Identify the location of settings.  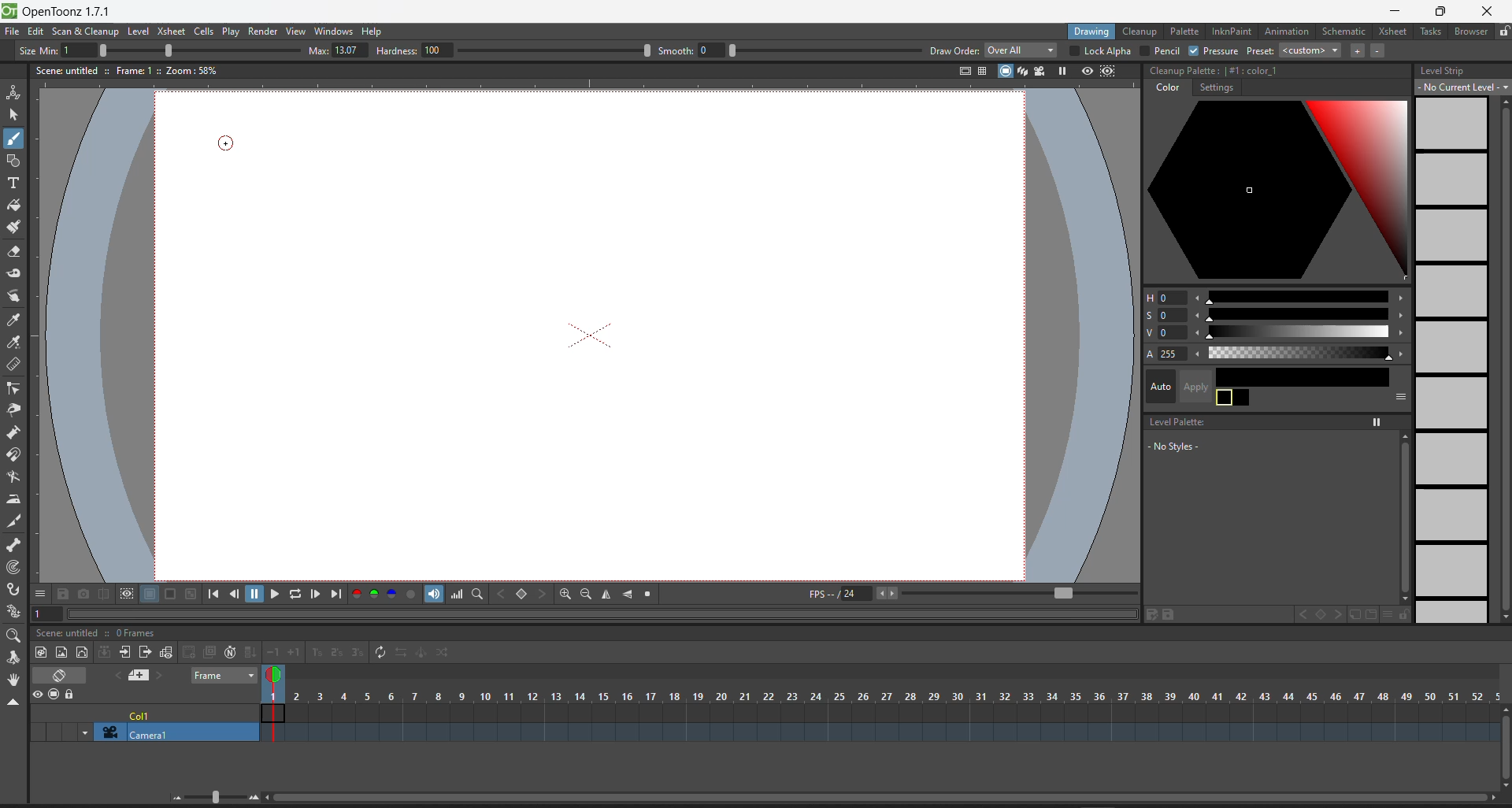
(1214, 87).